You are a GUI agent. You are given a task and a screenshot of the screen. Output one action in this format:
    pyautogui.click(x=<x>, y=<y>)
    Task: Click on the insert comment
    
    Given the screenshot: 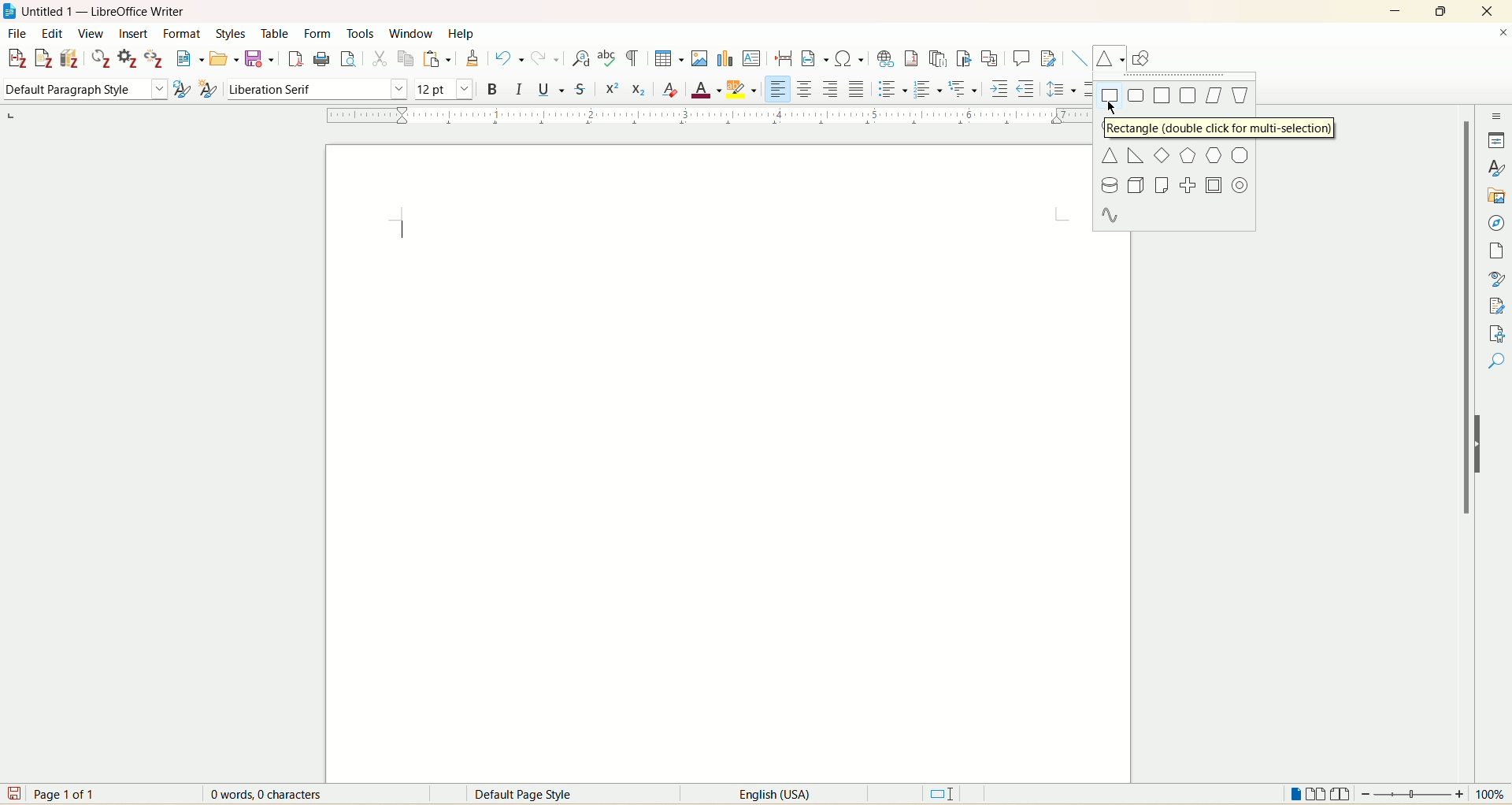 What is the action you would take?
    pyautogui.click(x=1024, y=58)
    